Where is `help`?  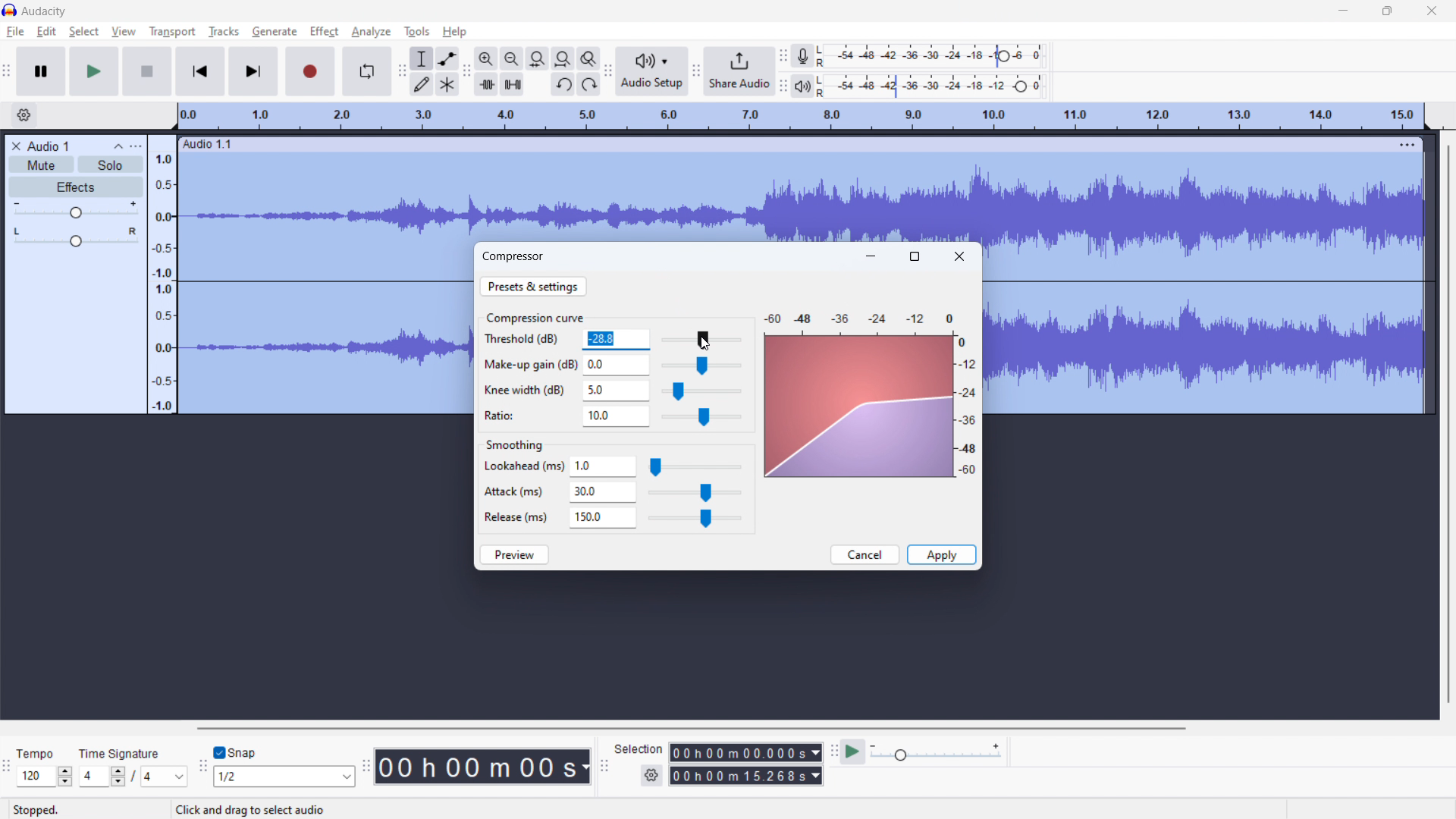
help is located at coordinates (455, 32).